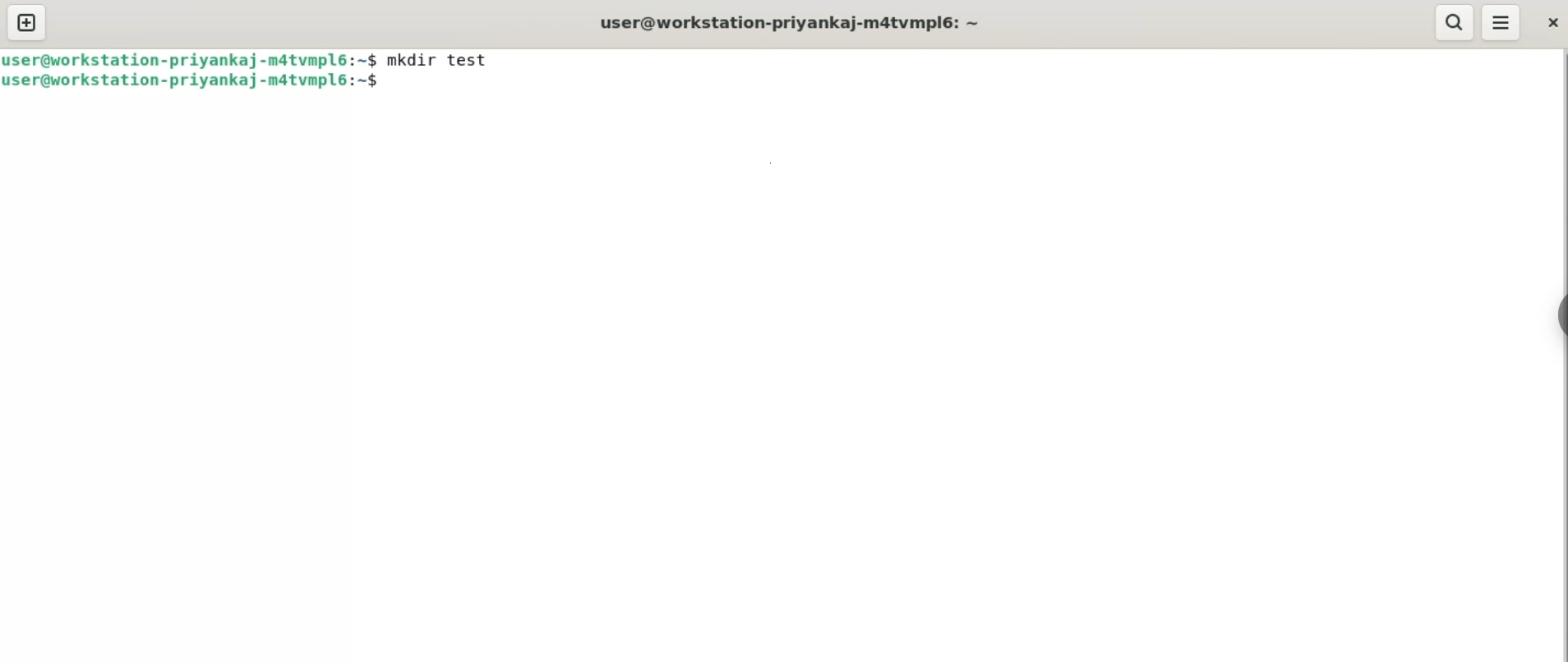 The height and width of the screenshot is (662, 1568). What do you see at coordinates (1549, 25) in the screenshot?
I see `close` at bounding box center [1549, 25].